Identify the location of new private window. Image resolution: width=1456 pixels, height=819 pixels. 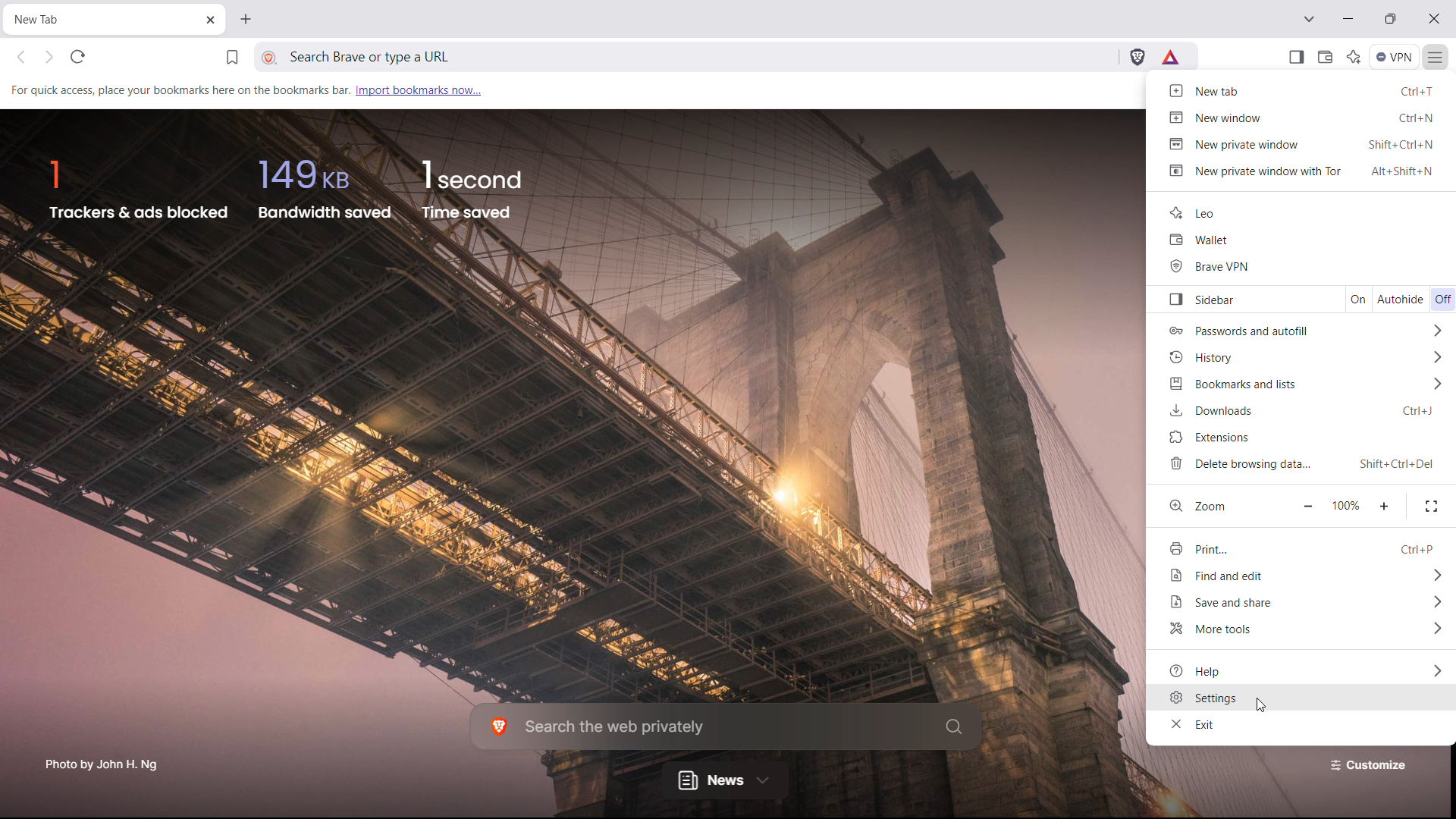
(1303, 145).